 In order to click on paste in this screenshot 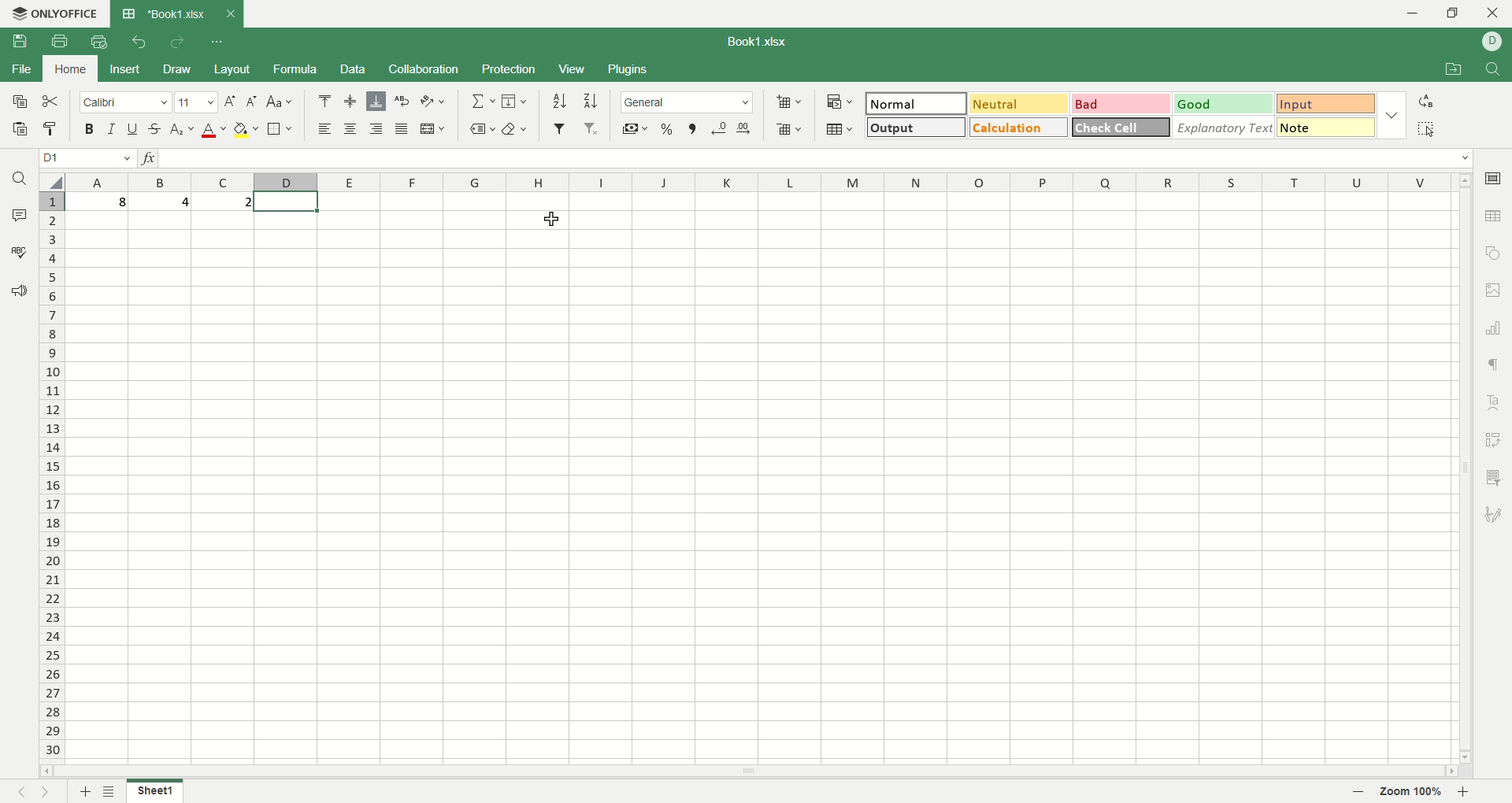, I will do `click(51, 129)`.